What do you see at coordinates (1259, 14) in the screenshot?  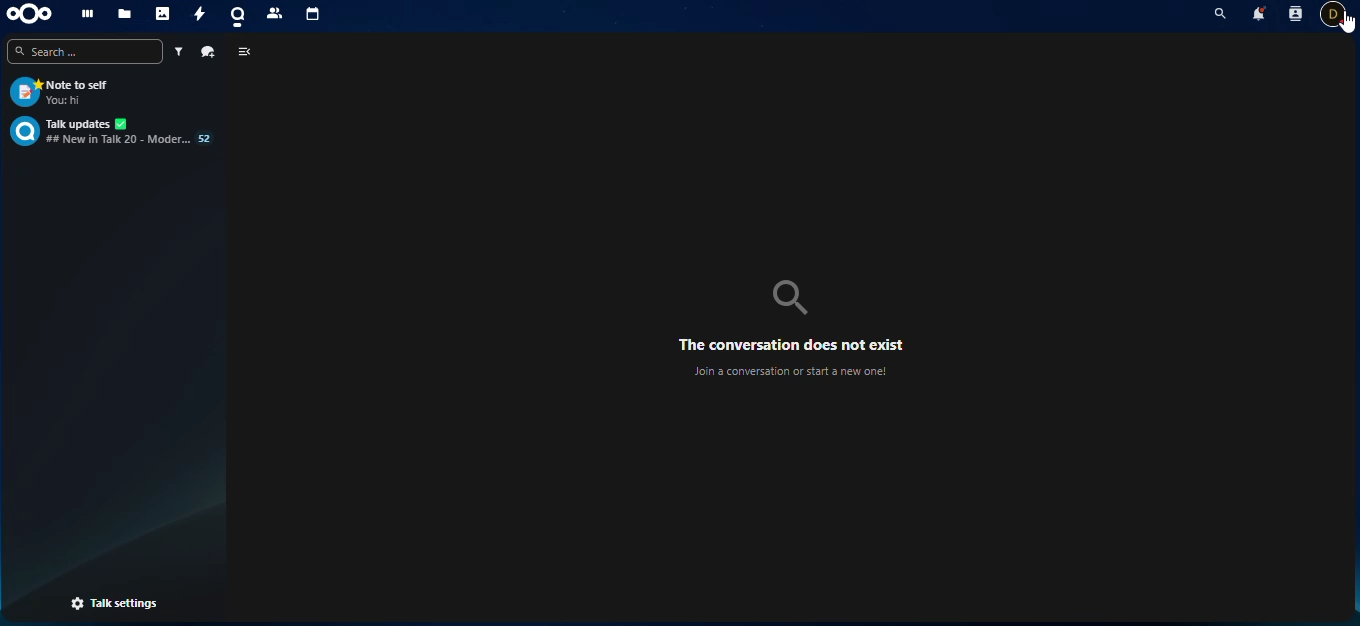 I see `notifications` at bounding box center [1259, 14].